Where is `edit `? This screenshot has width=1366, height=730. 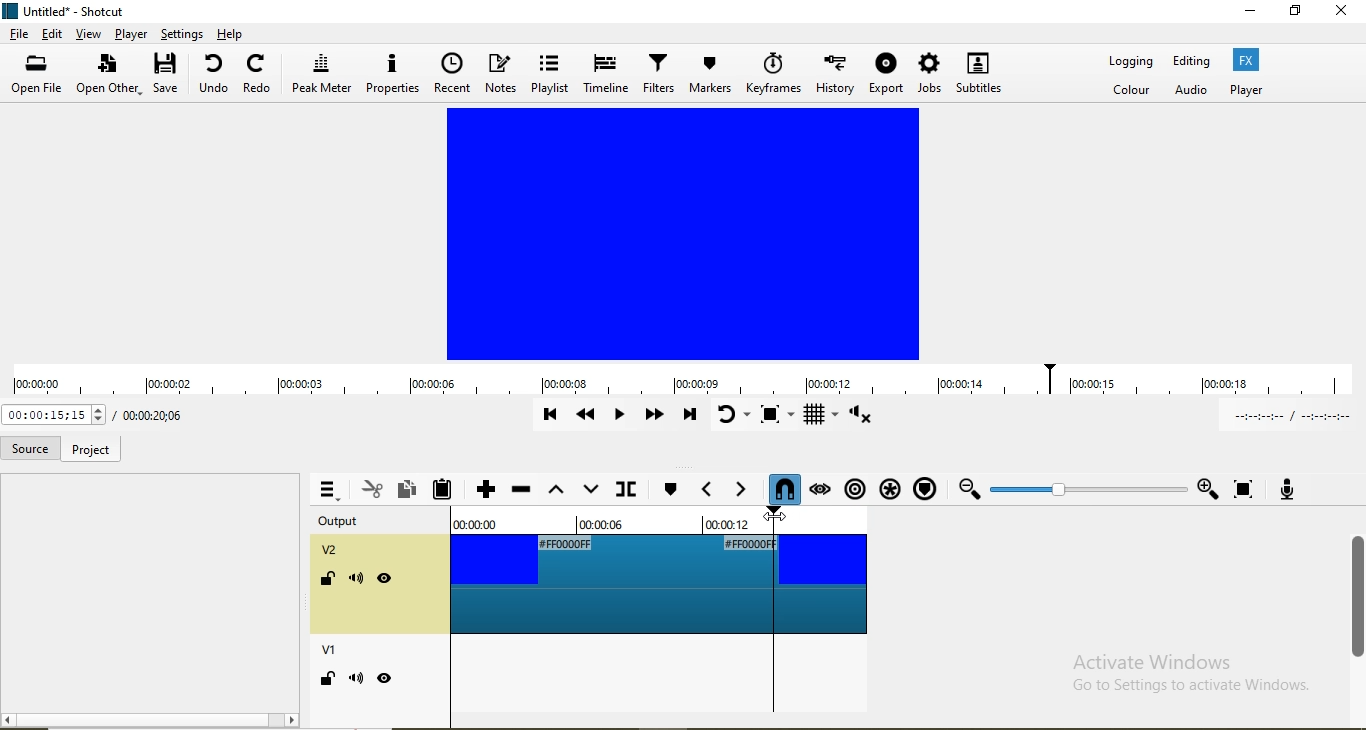
edit  is located at coordinates (53, 34).